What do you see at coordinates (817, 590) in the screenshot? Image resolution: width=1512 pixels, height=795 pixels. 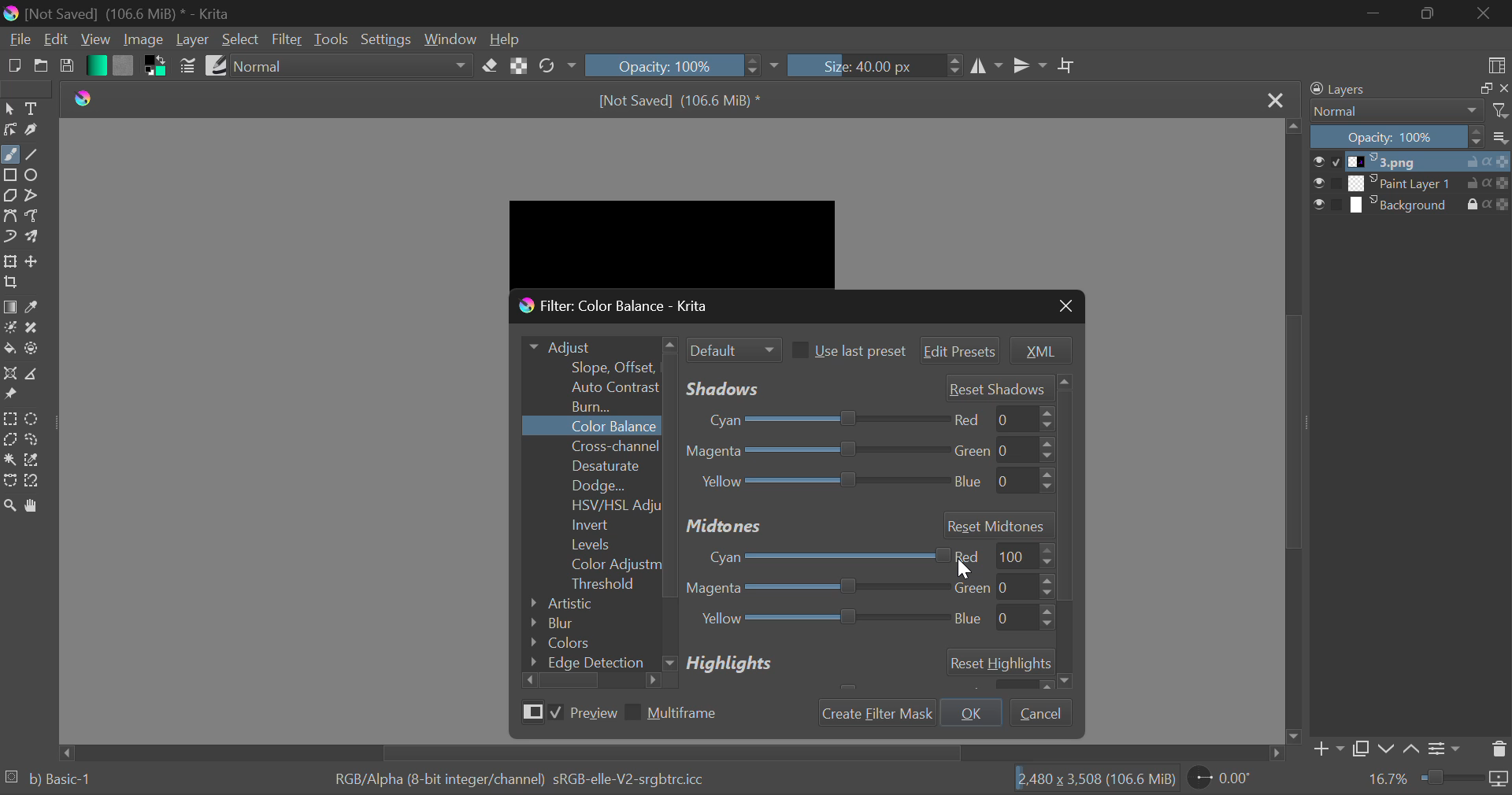 I see `Magenta-Green Adjustment Slider ` at bounding box center [817, 590].